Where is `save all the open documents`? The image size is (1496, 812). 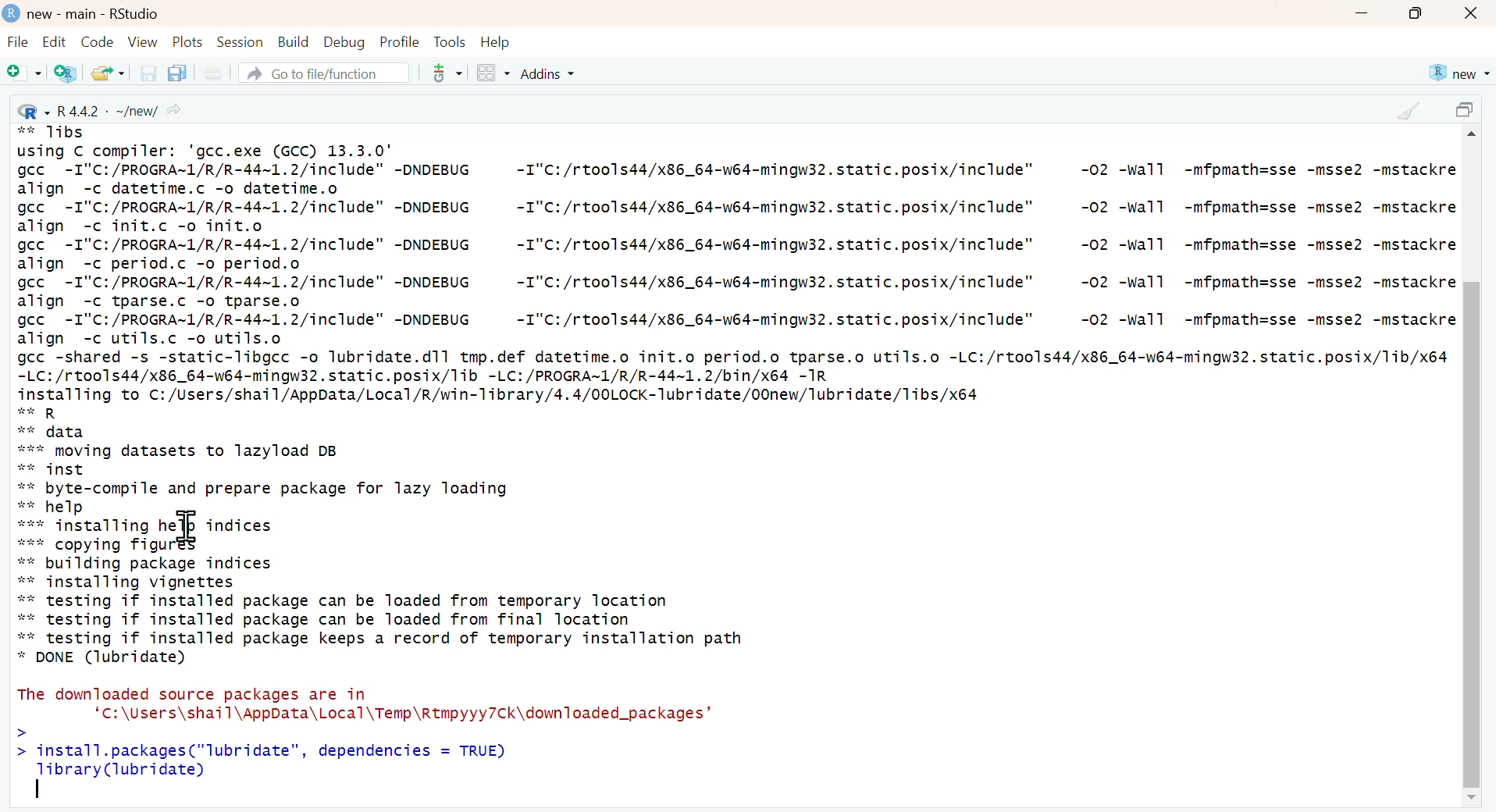
save all the open documents is located at coordinates (176, 72).